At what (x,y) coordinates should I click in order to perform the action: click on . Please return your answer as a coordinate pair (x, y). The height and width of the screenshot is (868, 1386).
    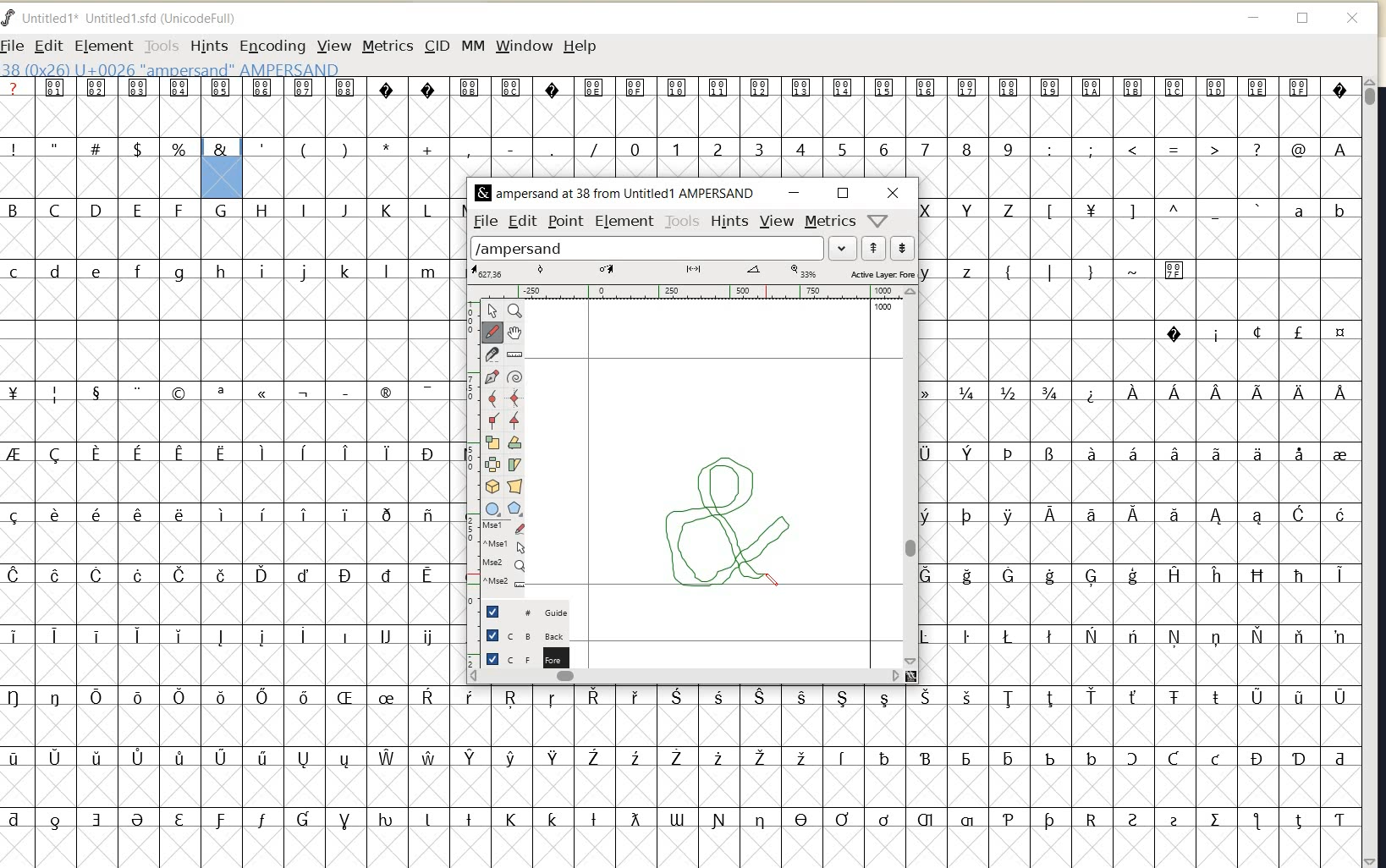
    Looking at the image, I should click on (517, 509).